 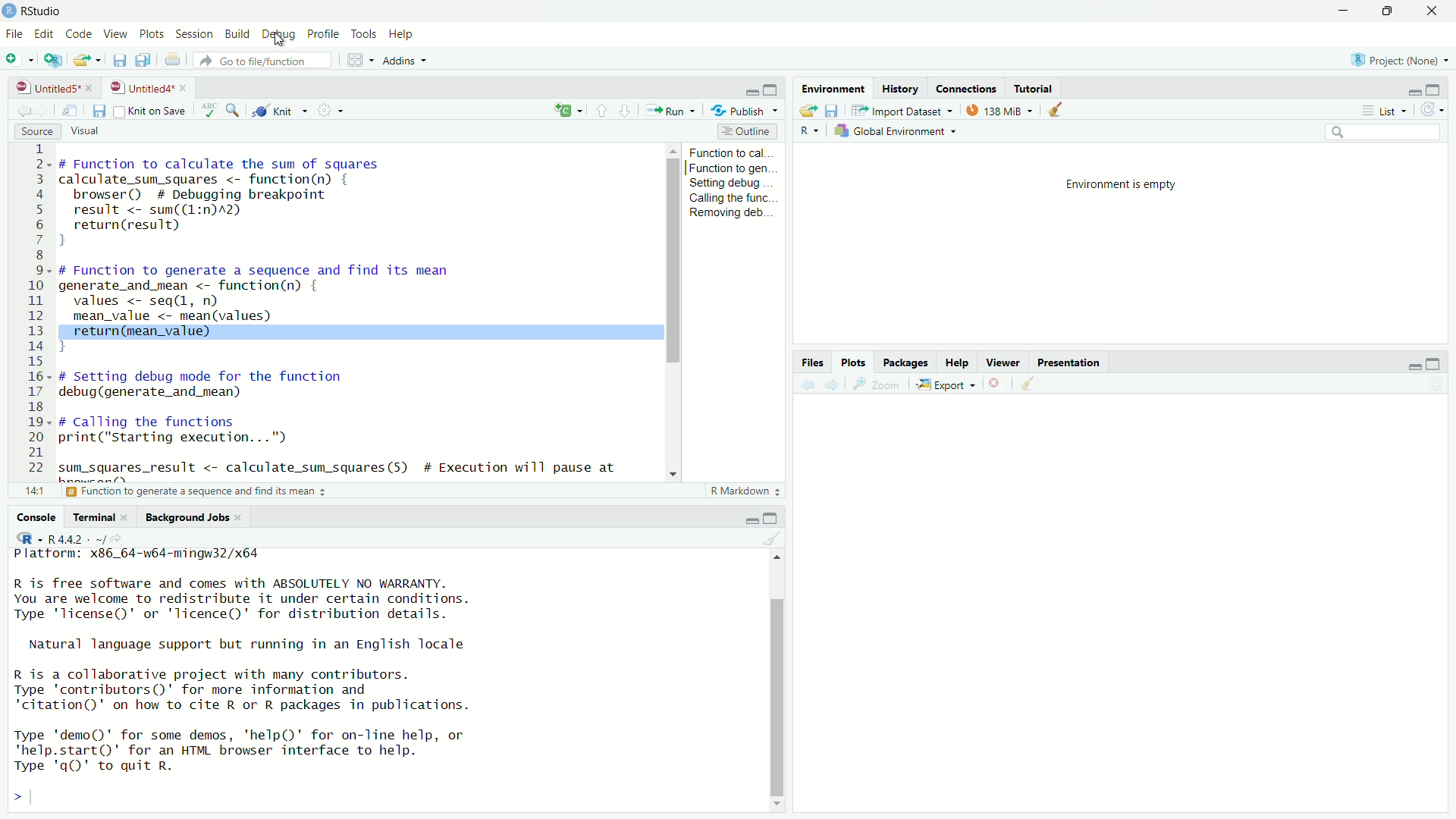 I want to click on function to gen..., so click(x=730, y=168).